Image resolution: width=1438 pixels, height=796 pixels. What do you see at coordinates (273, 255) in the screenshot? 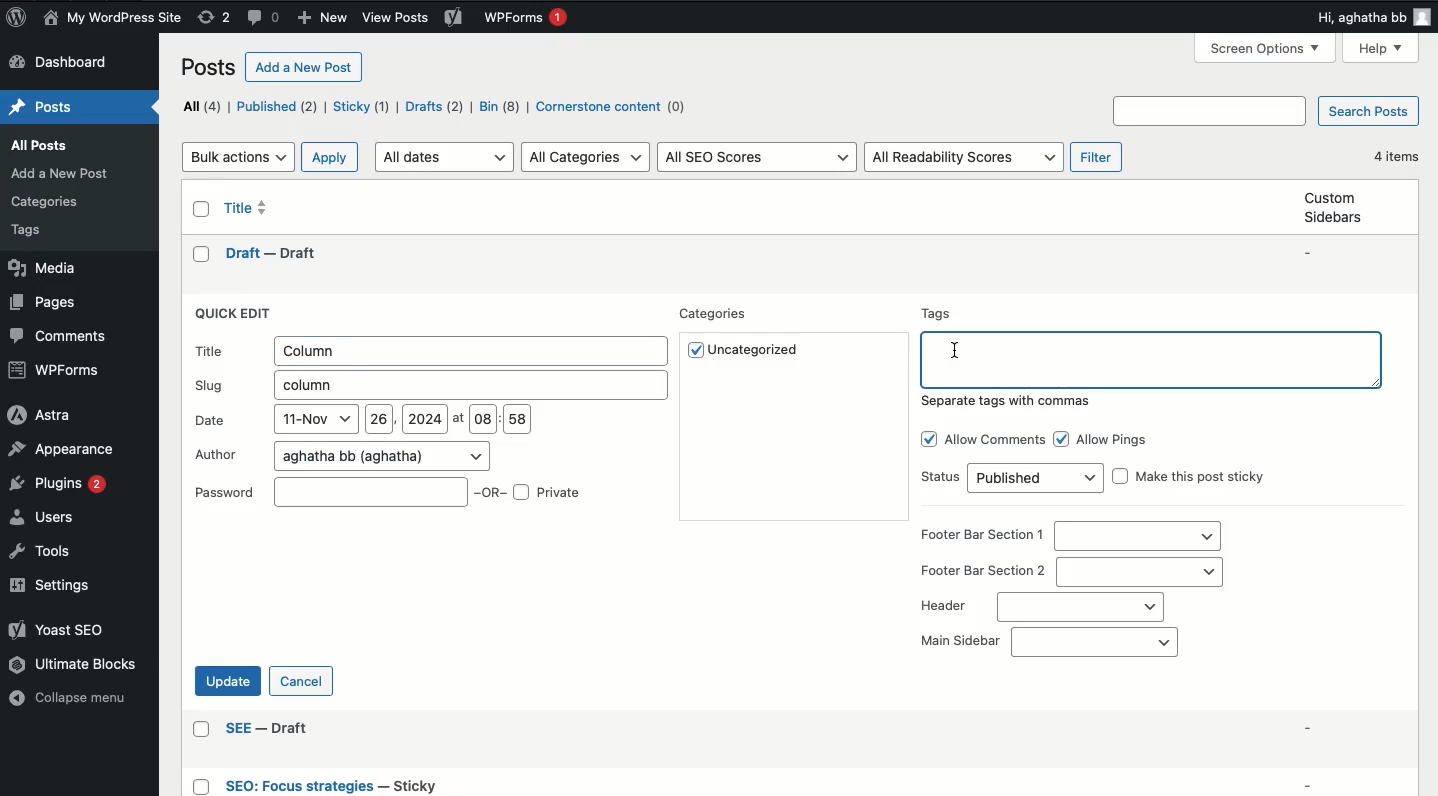
I see `draft -- draft` at bounding box center [273, 255].